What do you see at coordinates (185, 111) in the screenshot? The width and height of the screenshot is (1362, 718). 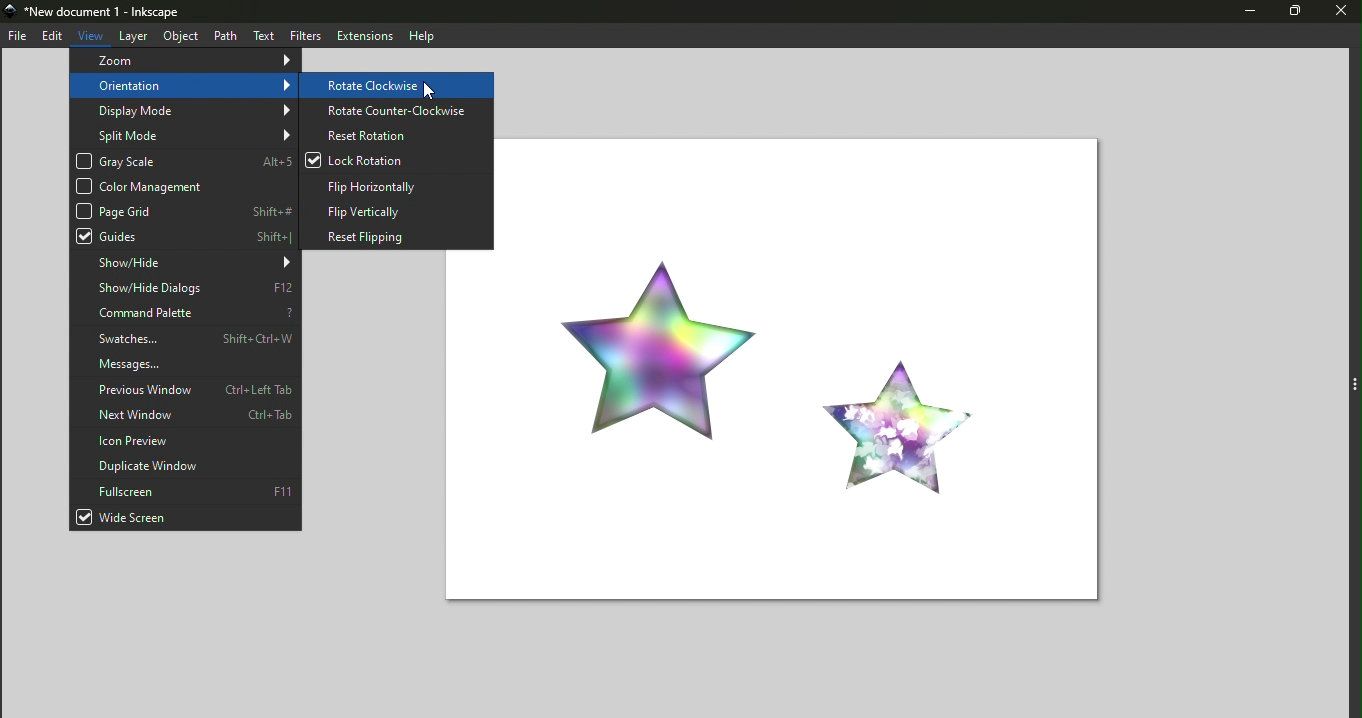 I see `Display mode` at bounding box center [185, 111].